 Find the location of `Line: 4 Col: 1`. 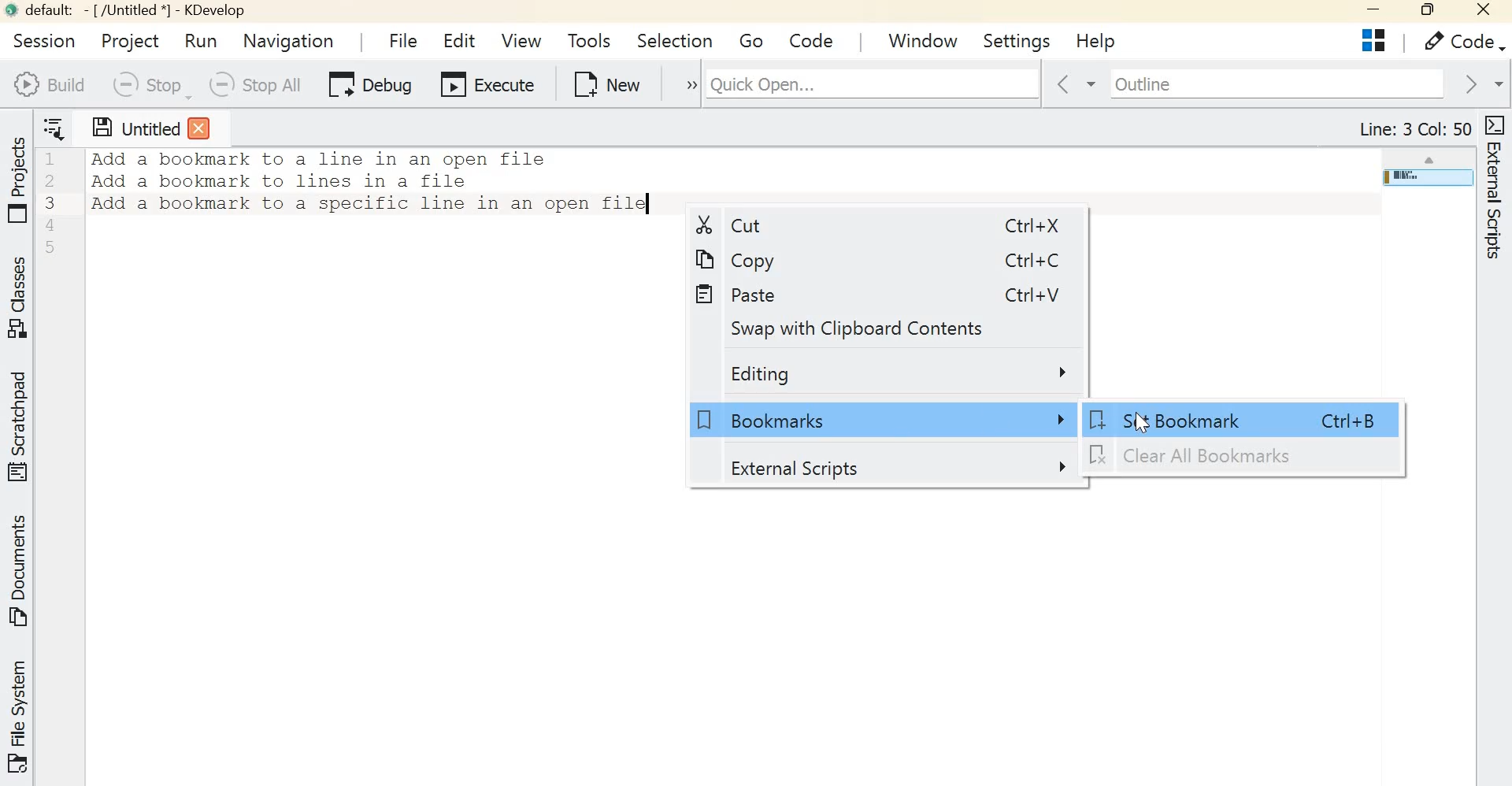

Line: 4 Col: 1 is located at coordinates (1418, 130).